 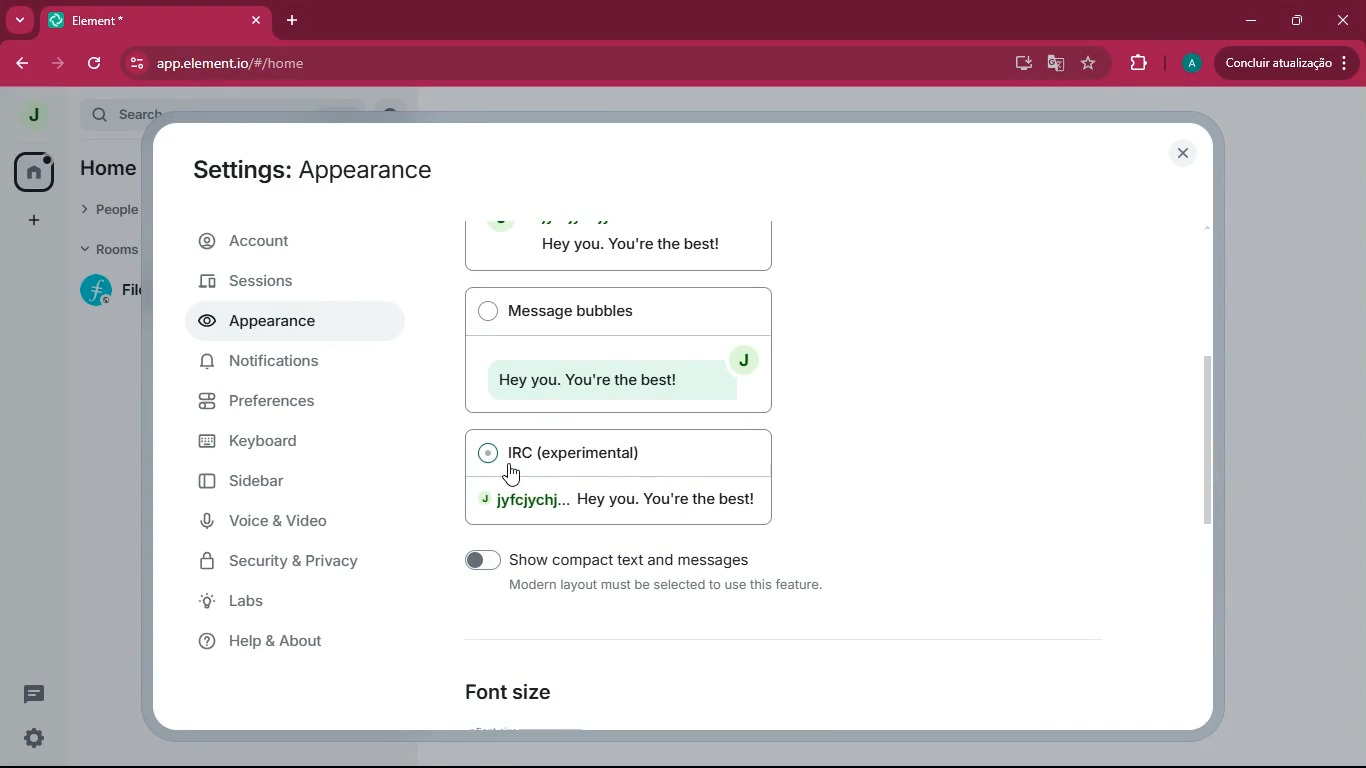 What do you see at coordinates (266, 283) in the screenshot?
I see `sessions` at bounding box center [266, 283].